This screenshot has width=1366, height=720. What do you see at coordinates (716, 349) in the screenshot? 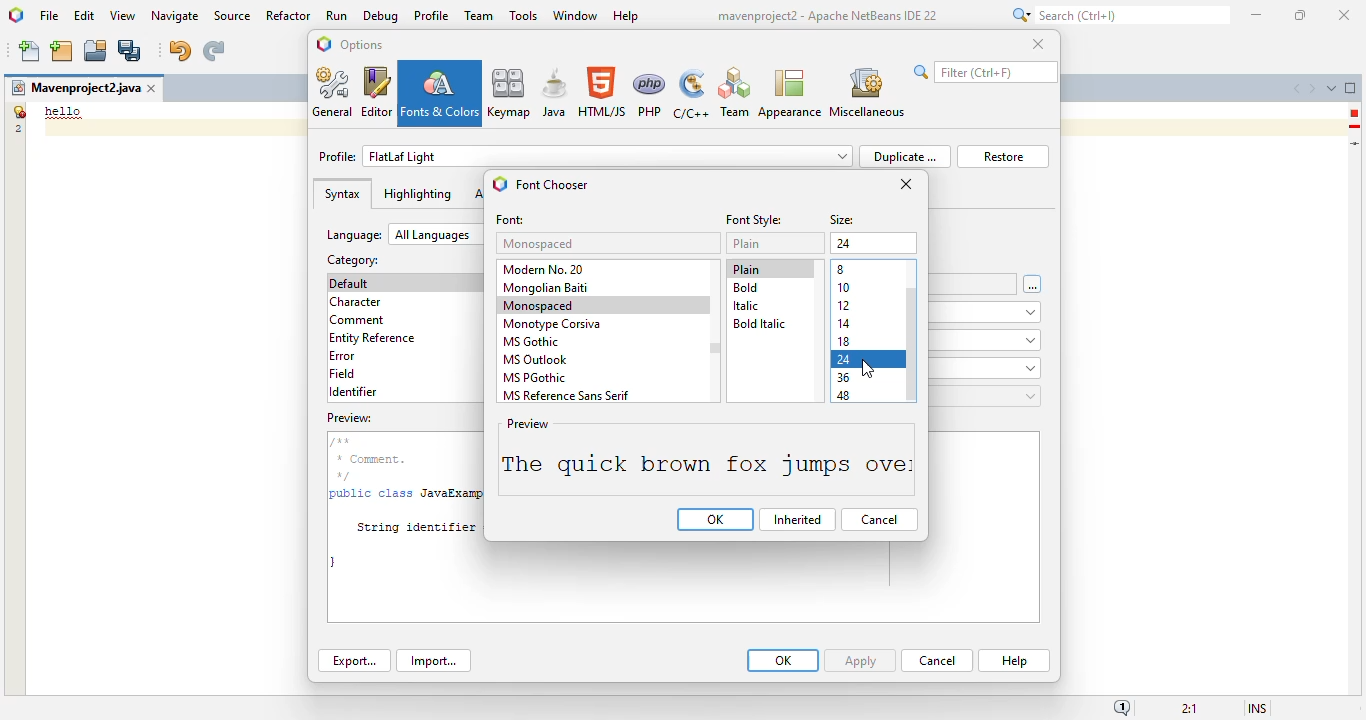
I see `vertical scroll bar` at bounding box center [716, 349].